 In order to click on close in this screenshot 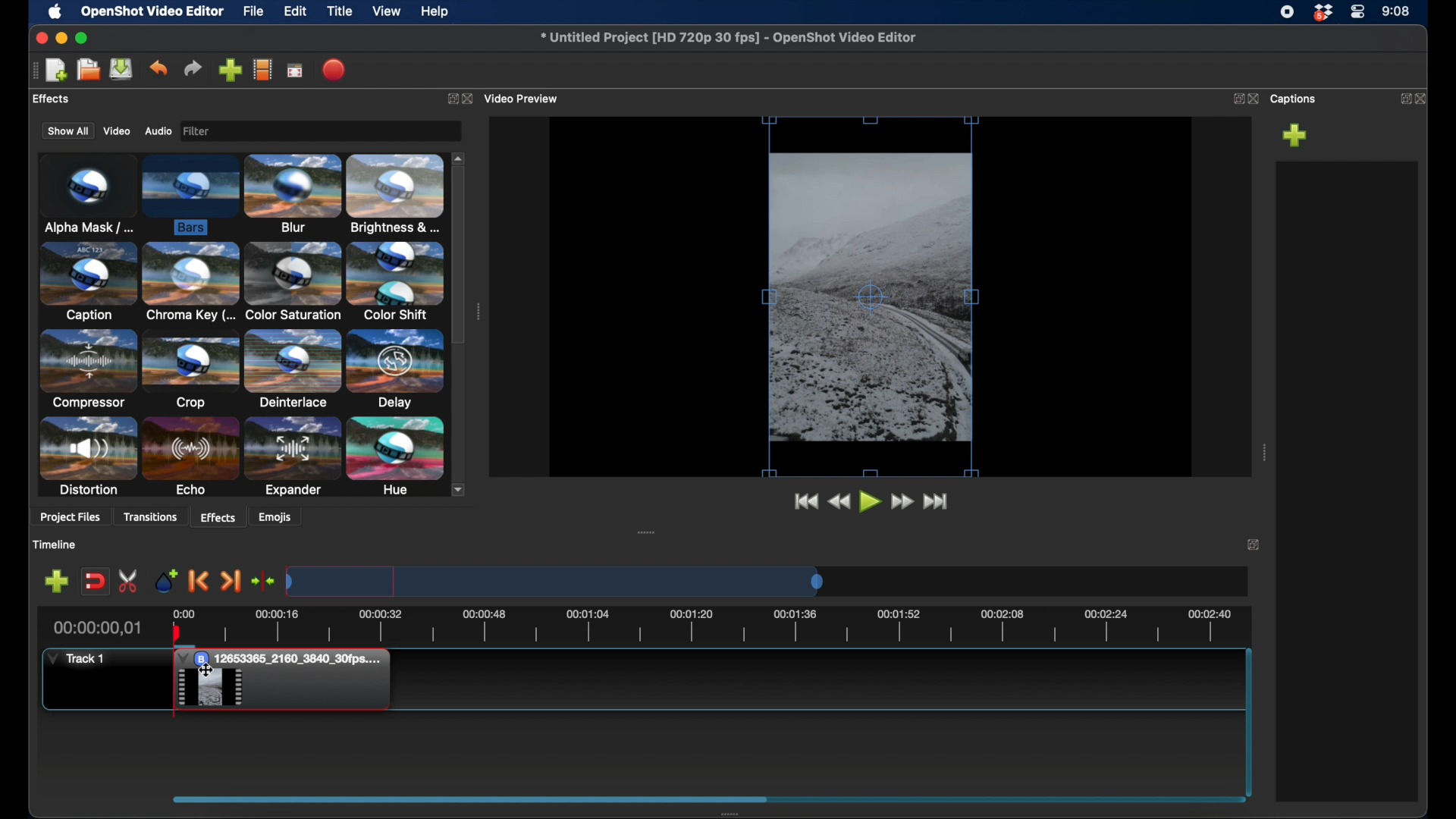, I will do `click(1424, 97)`.